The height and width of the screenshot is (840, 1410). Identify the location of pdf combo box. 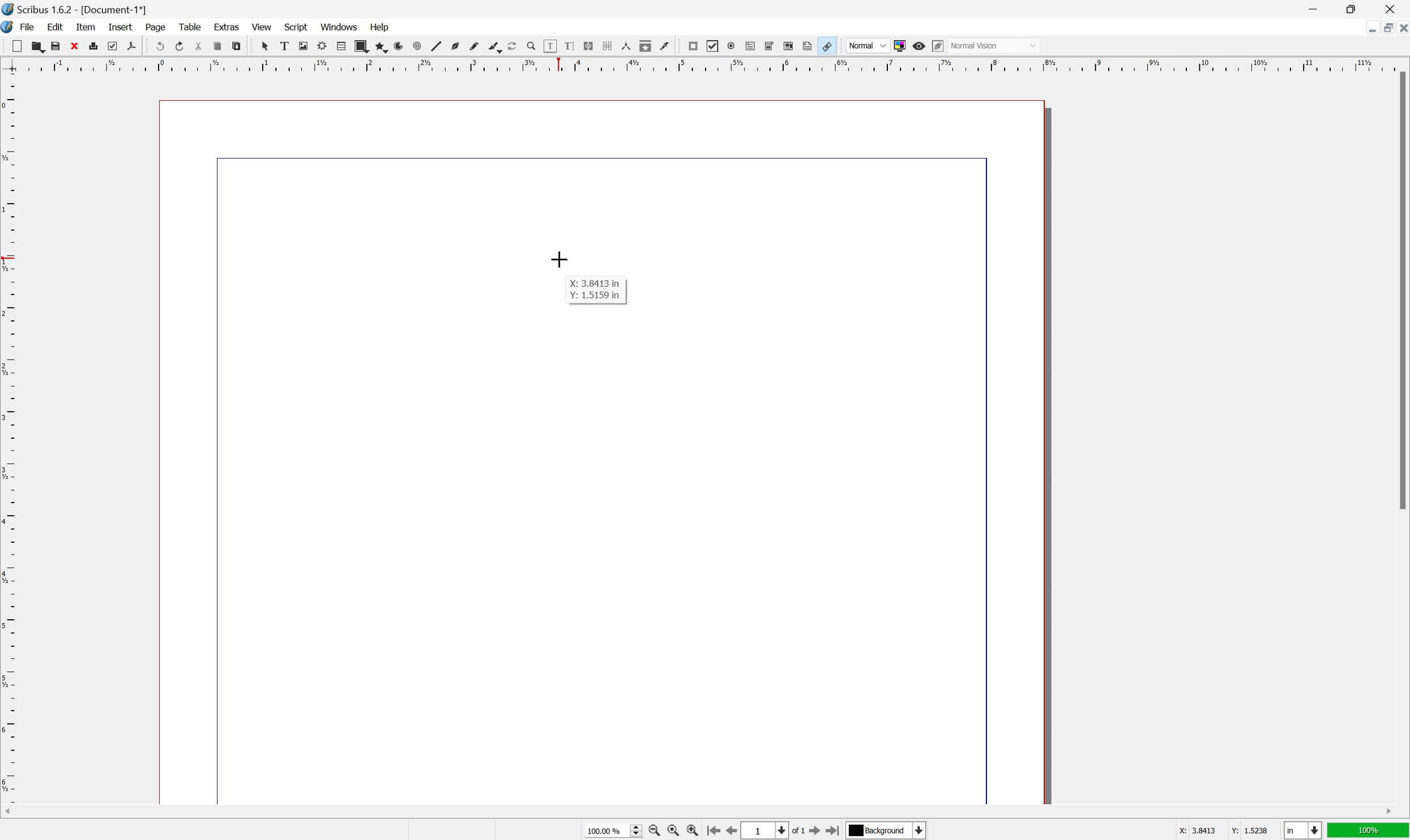
(770, 46).